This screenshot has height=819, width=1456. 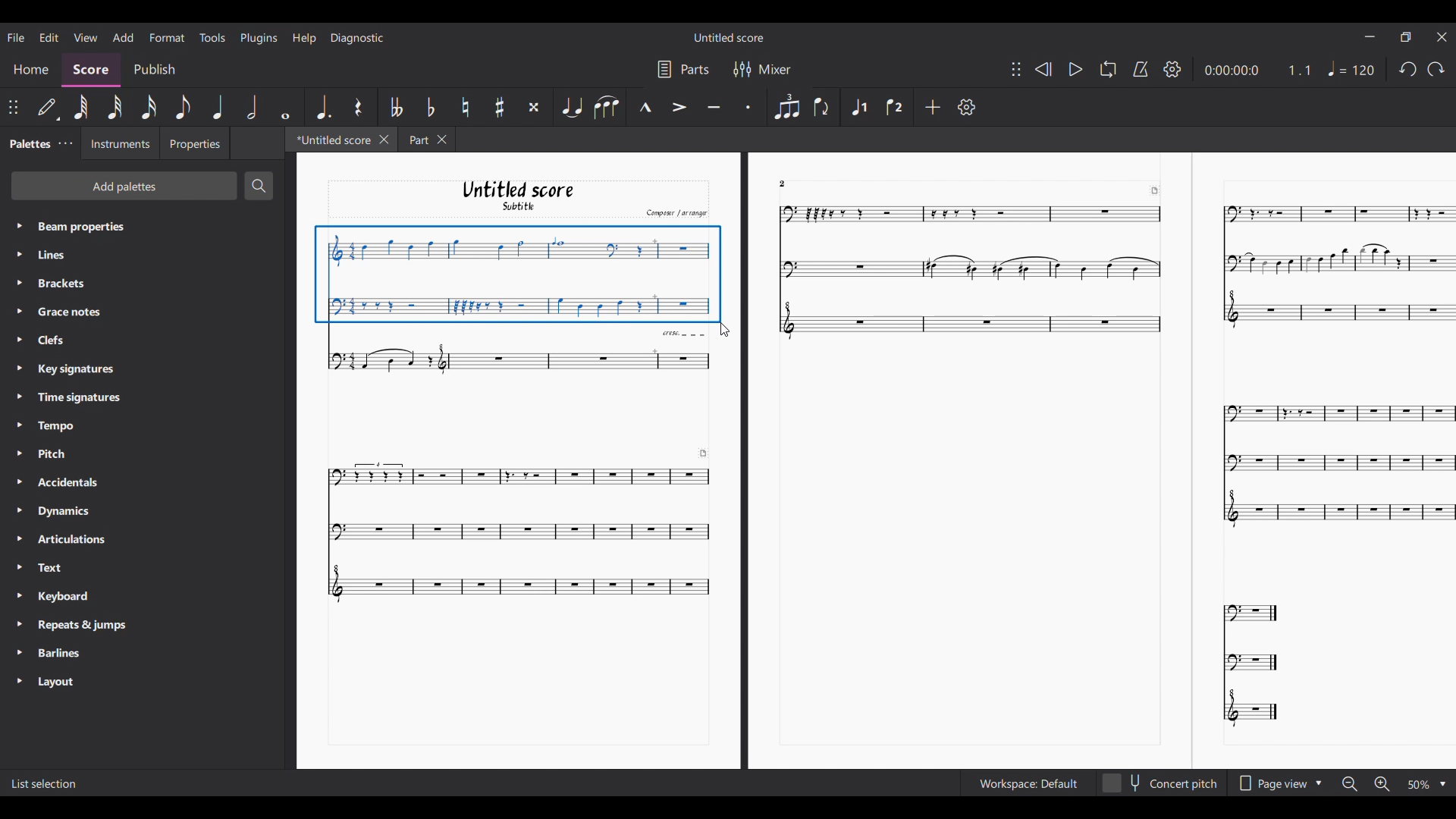 What do you see at coordinates (358, 106) in the screenshot?
I see `Rest` at bounding box center [358, 106].